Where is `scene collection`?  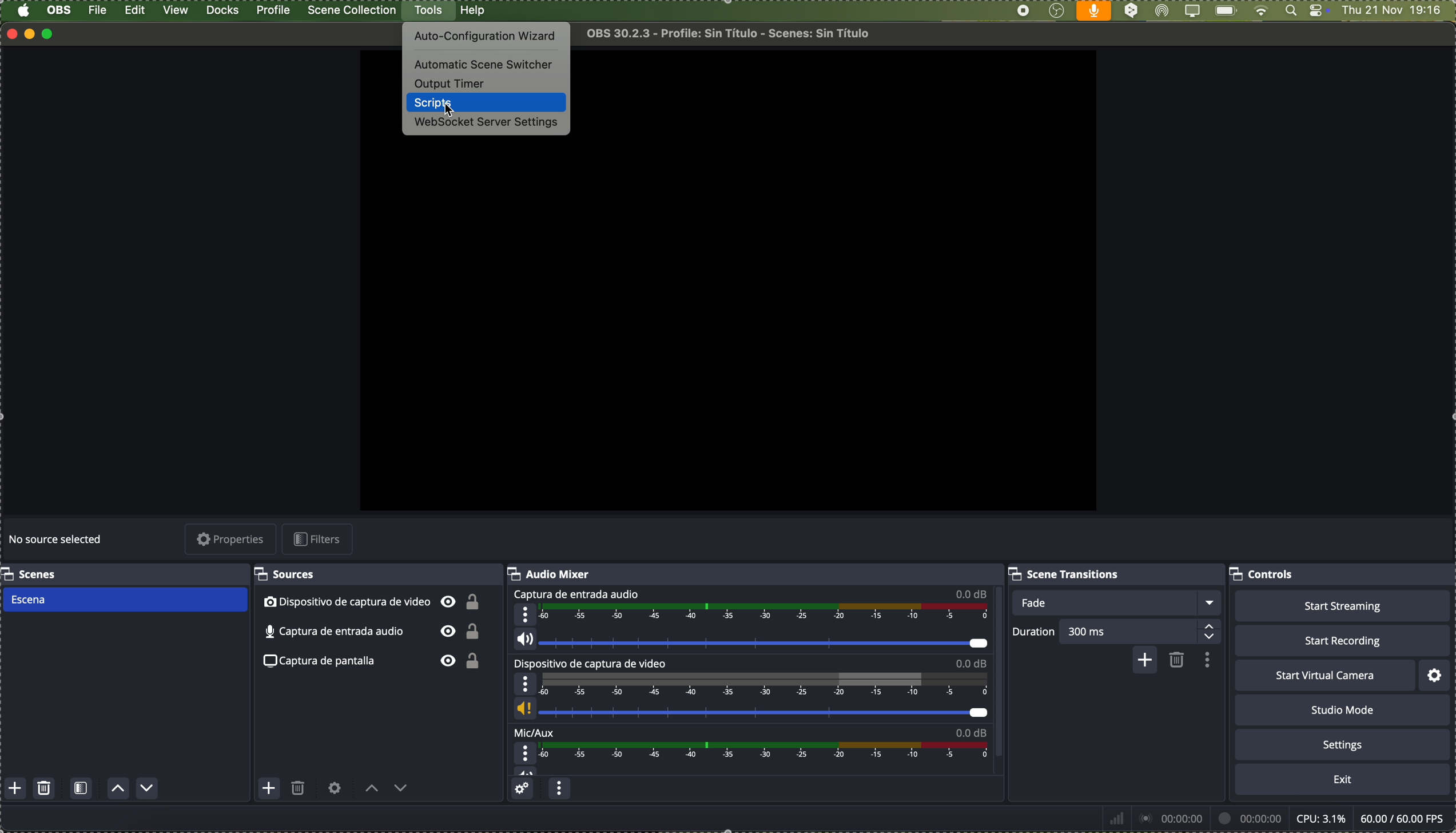 scene collection is located at coordinates (353, 10).